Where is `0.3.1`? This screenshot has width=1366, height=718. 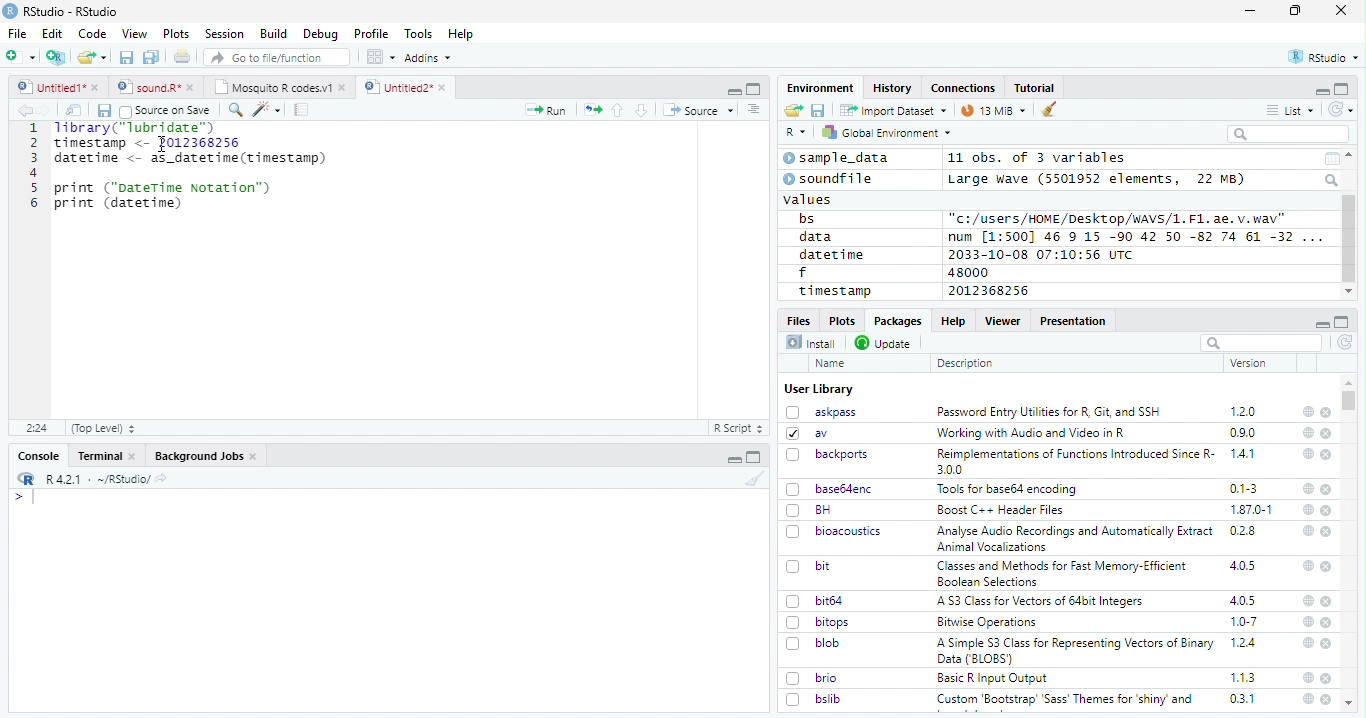 0.3.1 is located at coordinates (1242, 698).